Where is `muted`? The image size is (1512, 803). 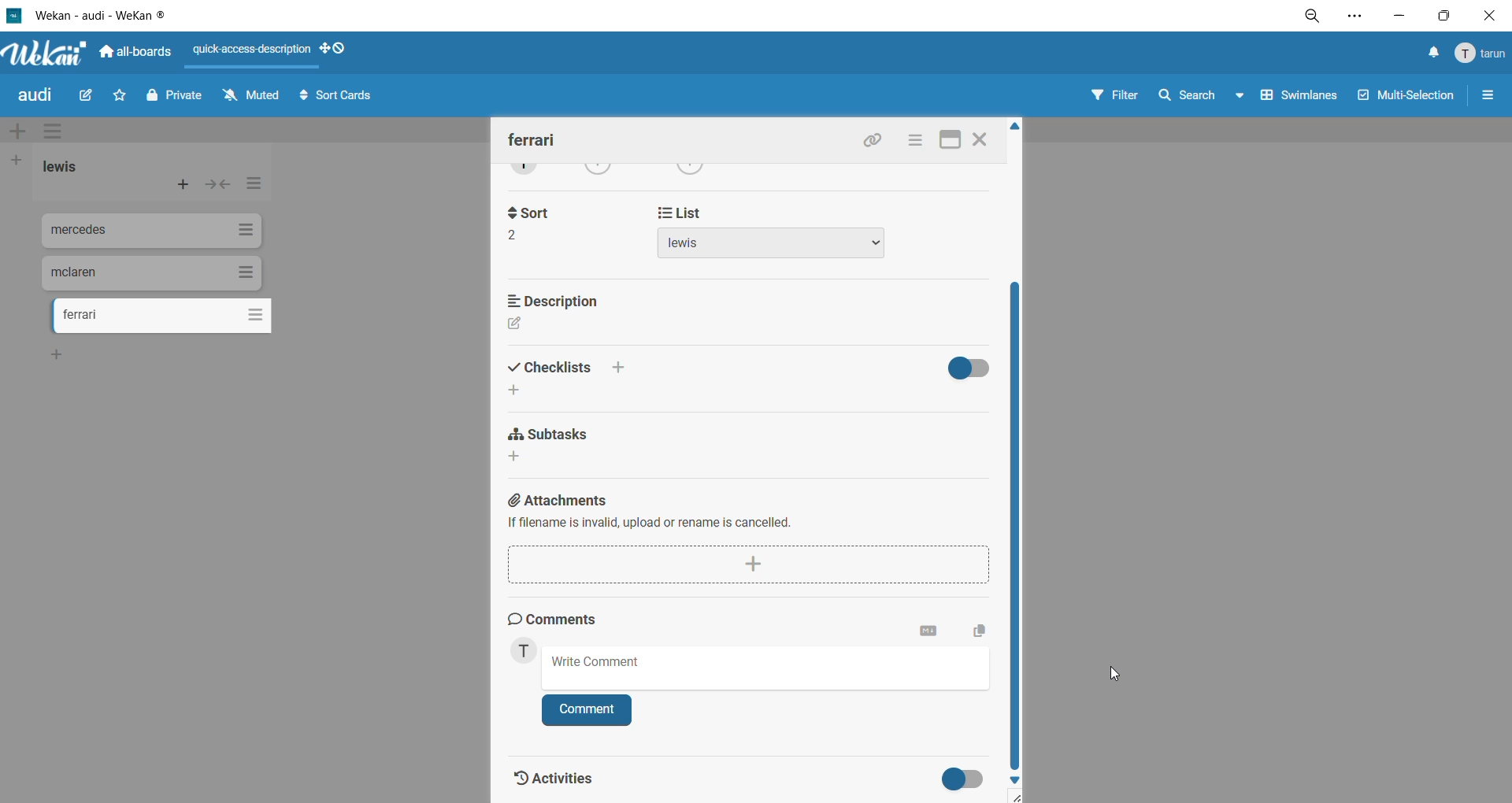 muted is located at coordinates (251, 94).